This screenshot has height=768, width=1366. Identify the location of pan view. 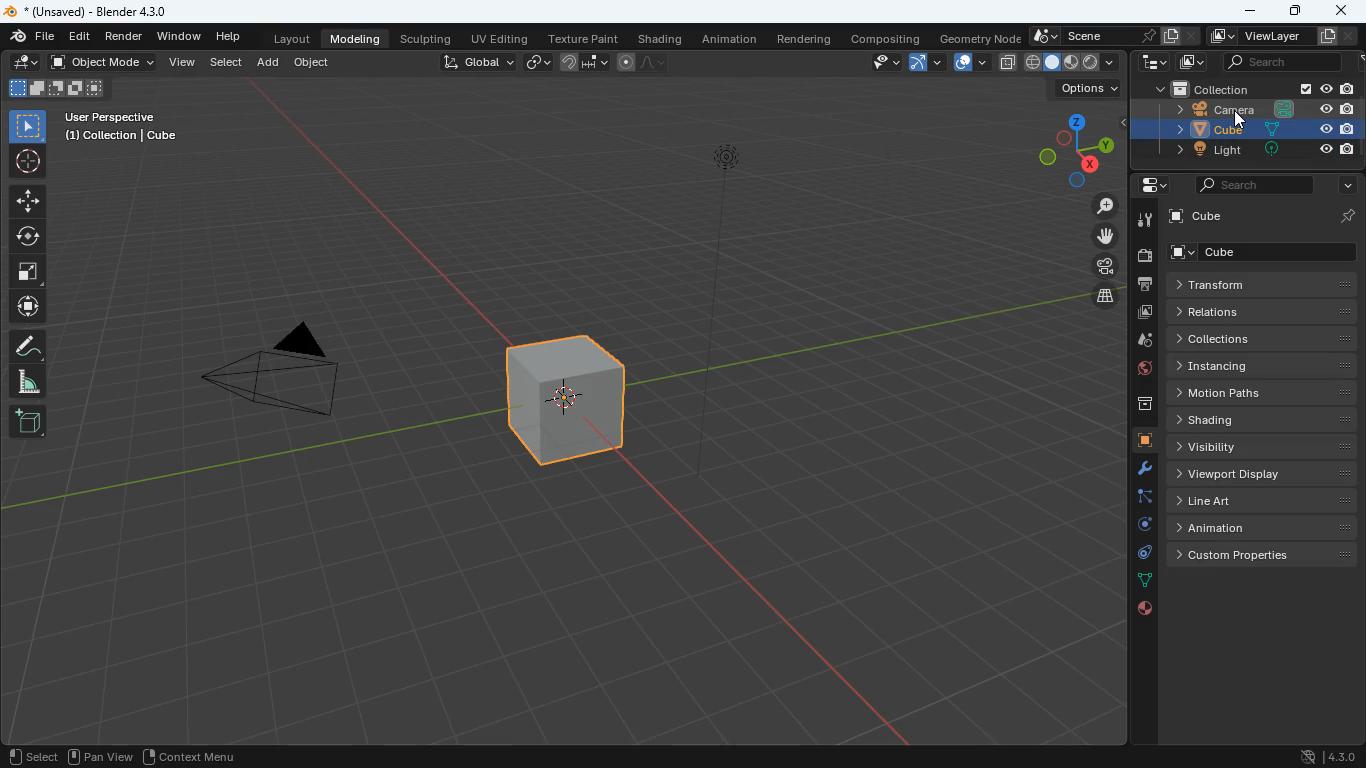
(101, 756).